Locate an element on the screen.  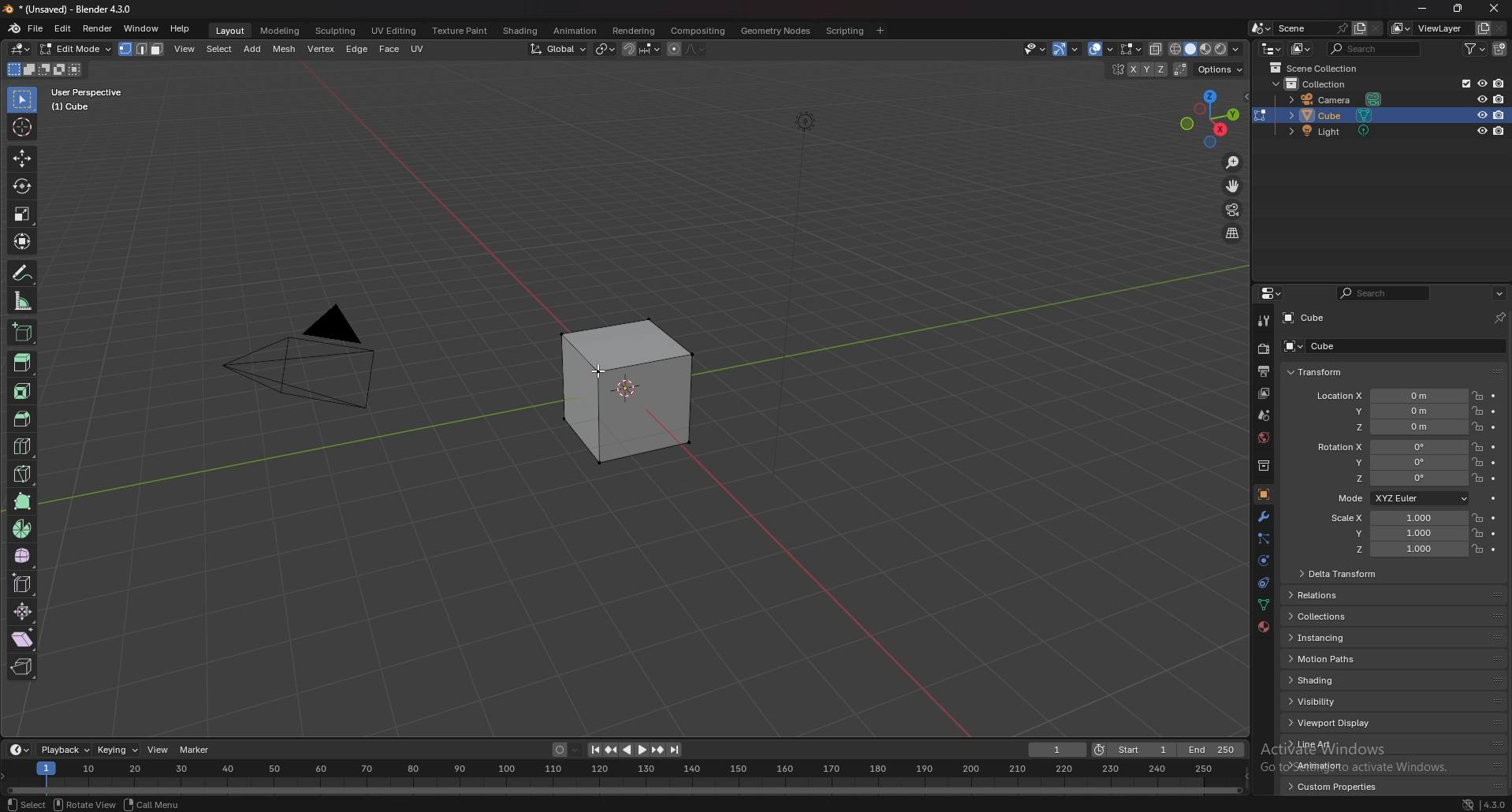
lock location is located at coordinates (1477, 396).